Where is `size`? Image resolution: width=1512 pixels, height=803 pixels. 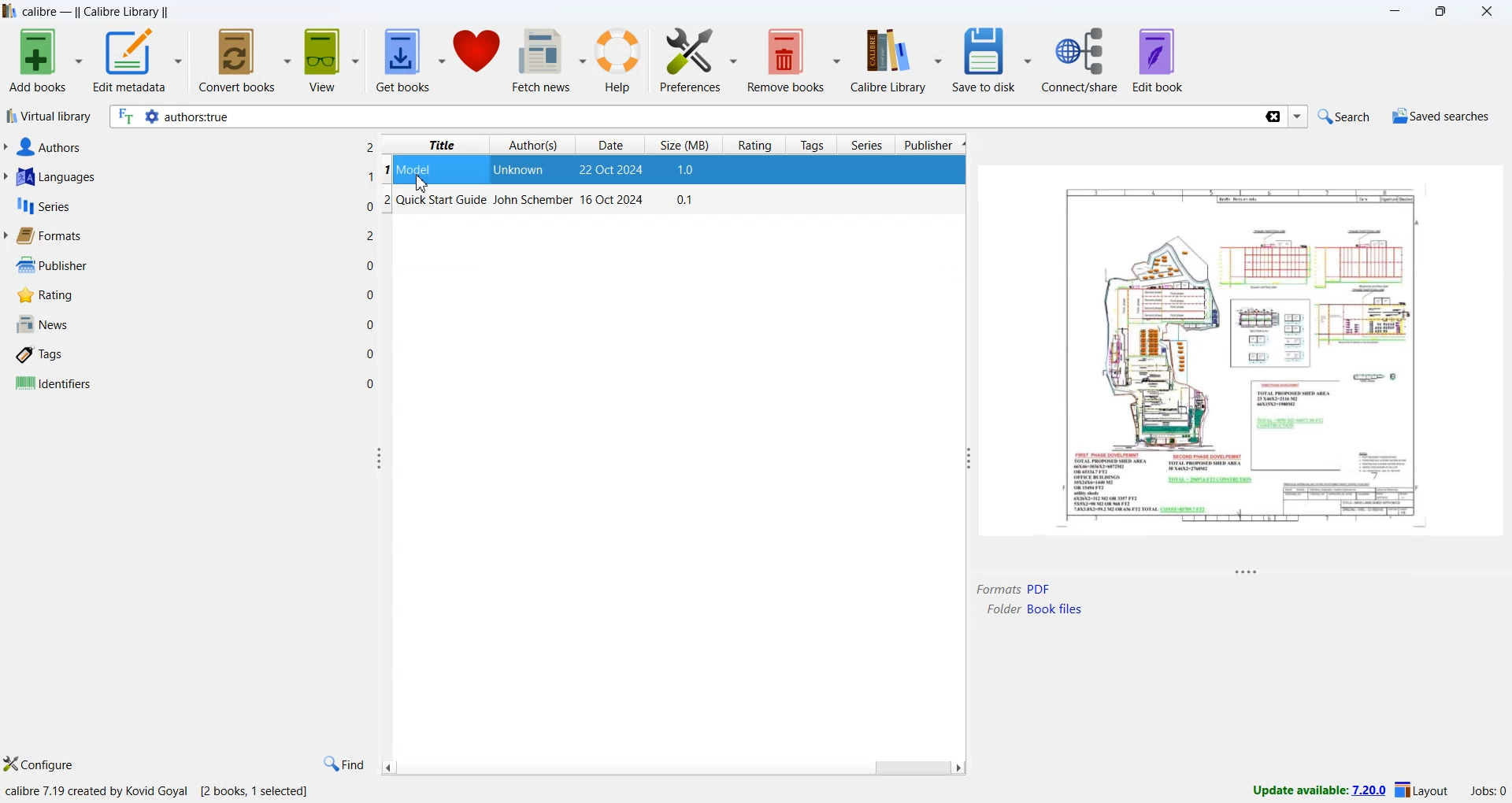 size is located at coordinates (687, 171).